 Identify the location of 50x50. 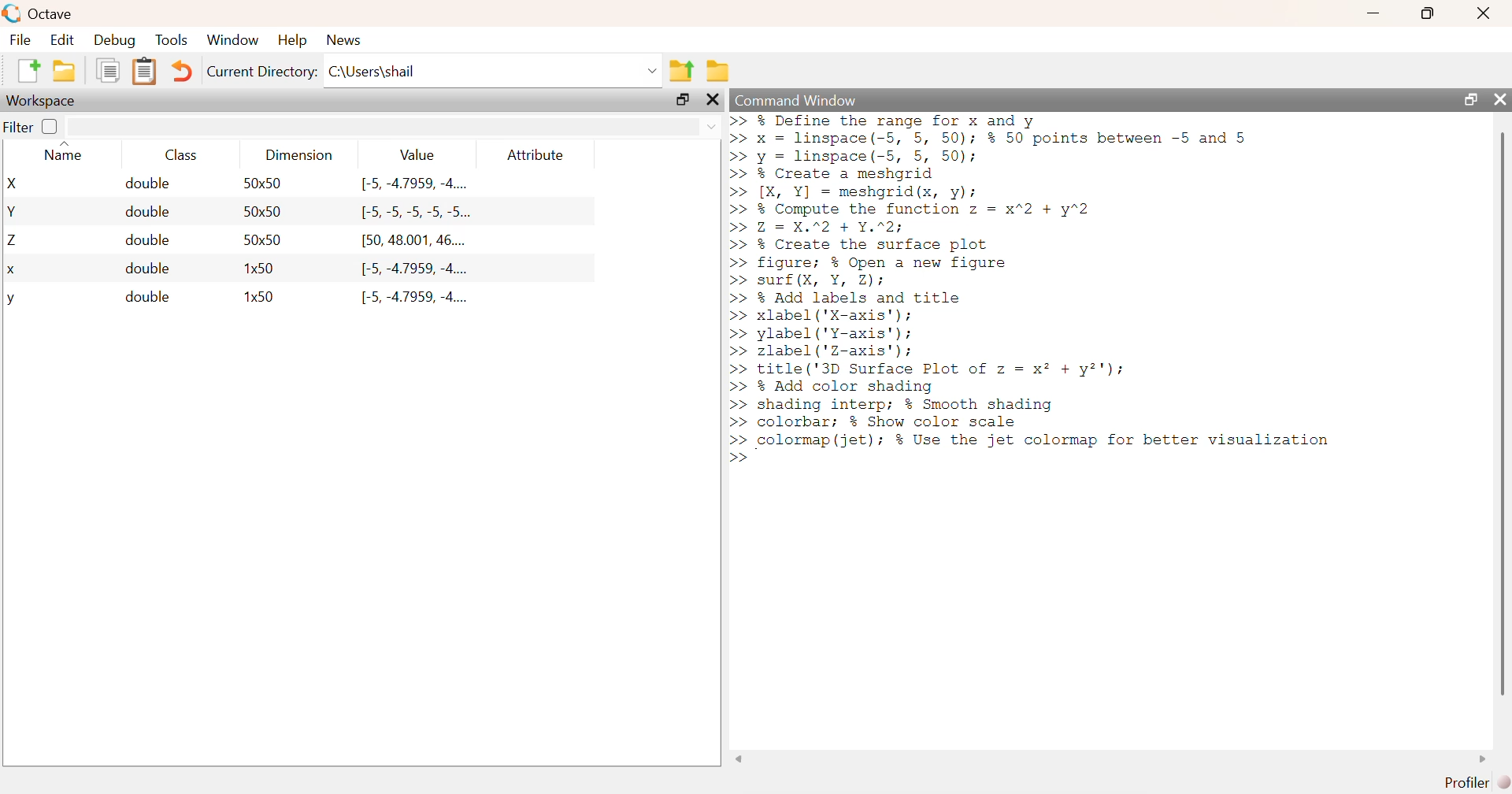
(264, 239).